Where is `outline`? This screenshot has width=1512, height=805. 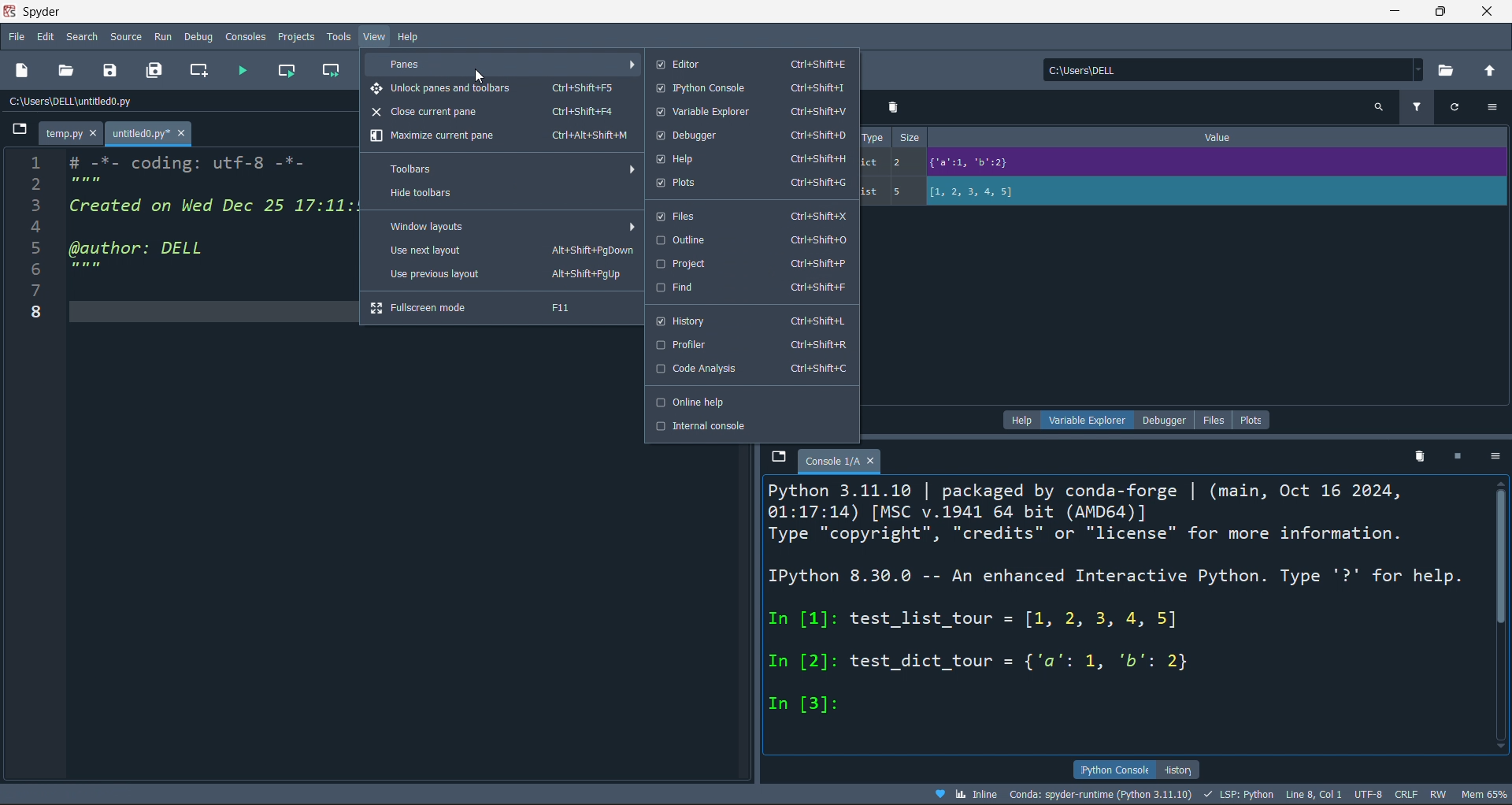
outline is located at coordinates (751, 239).